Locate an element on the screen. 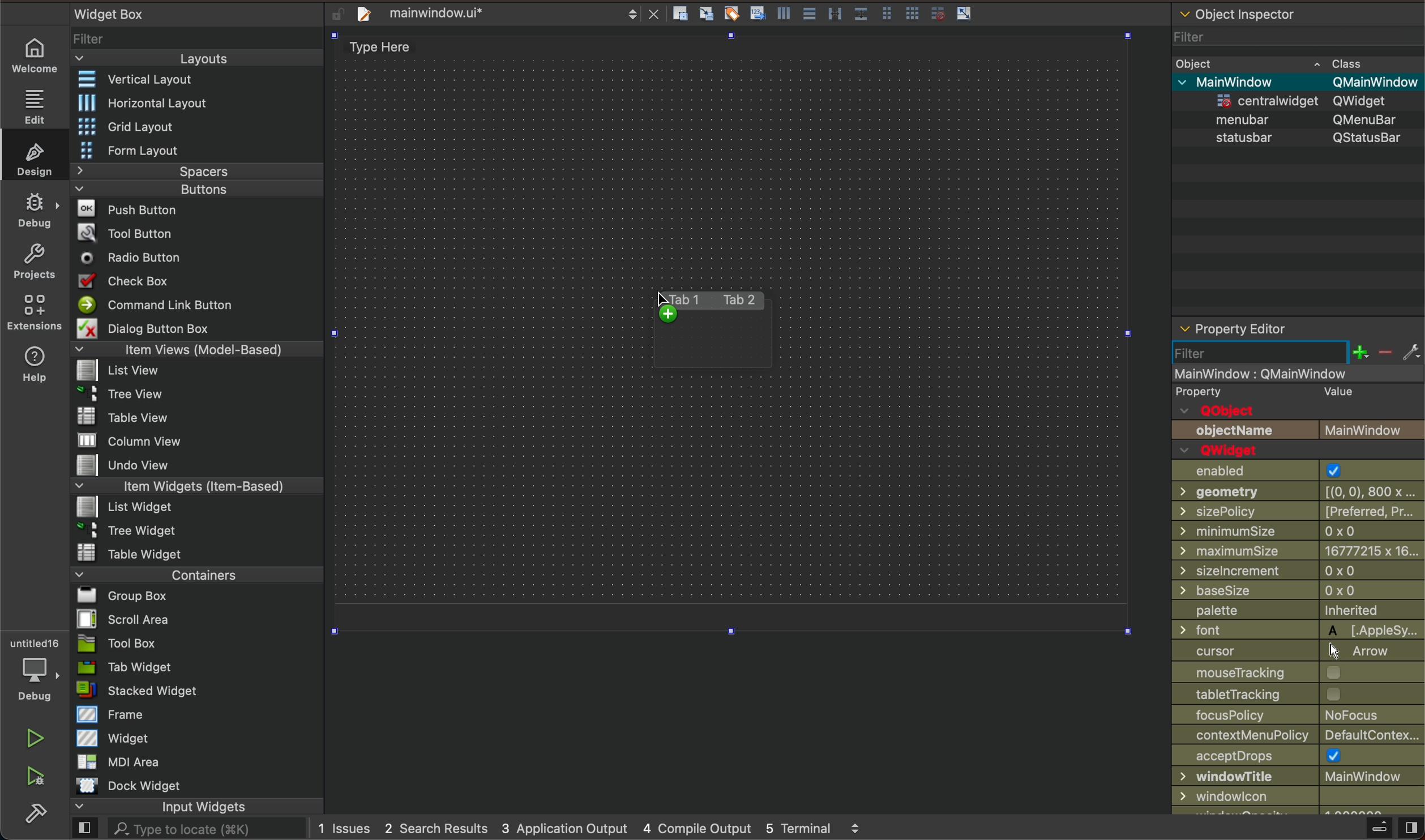 The width and height of the screenshot is (1425, 840). Buttons is located at coordinates (196, 188).